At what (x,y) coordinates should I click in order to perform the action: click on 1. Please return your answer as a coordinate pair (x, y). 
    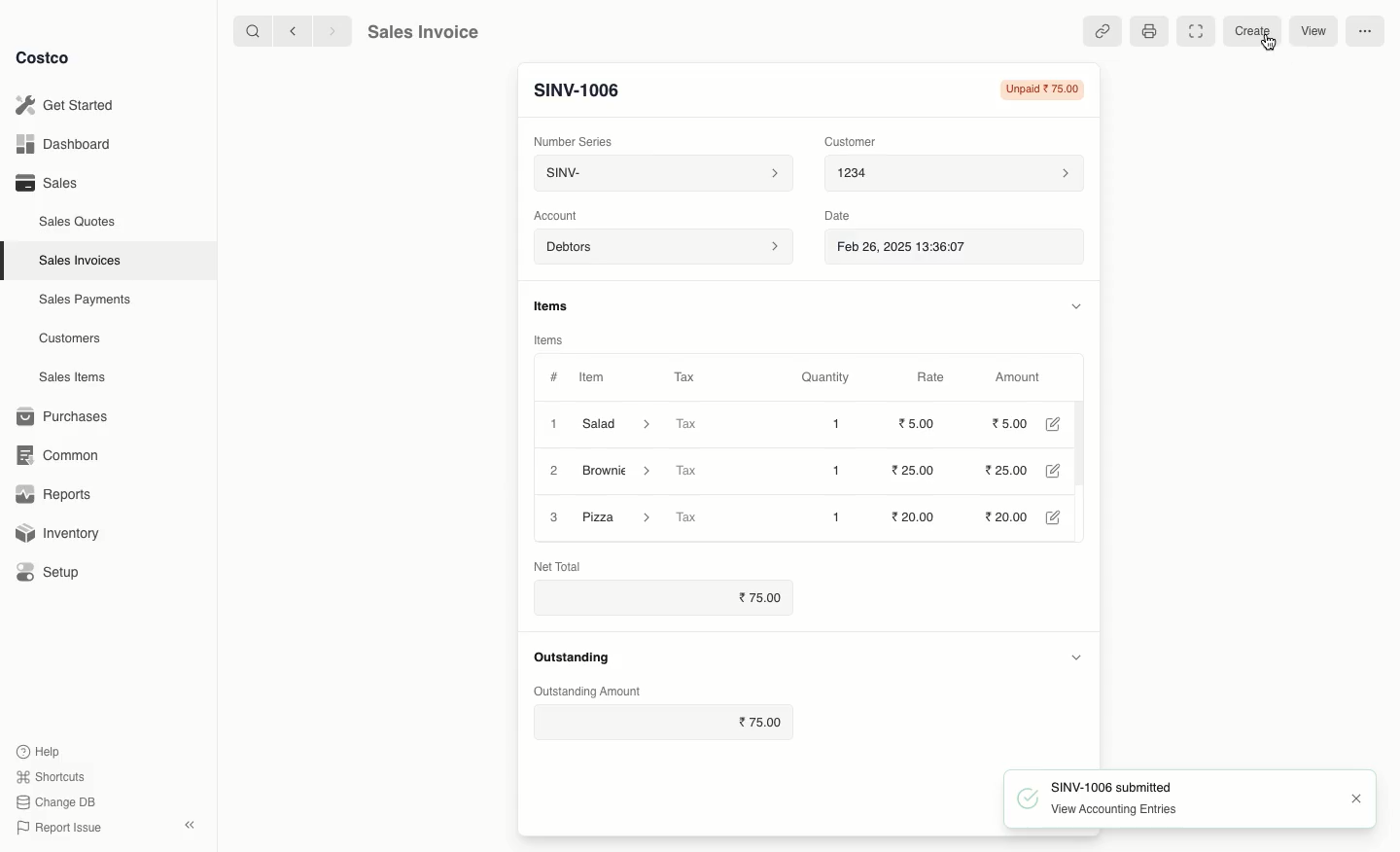
    Looking at the image, I should click on (550, 422).